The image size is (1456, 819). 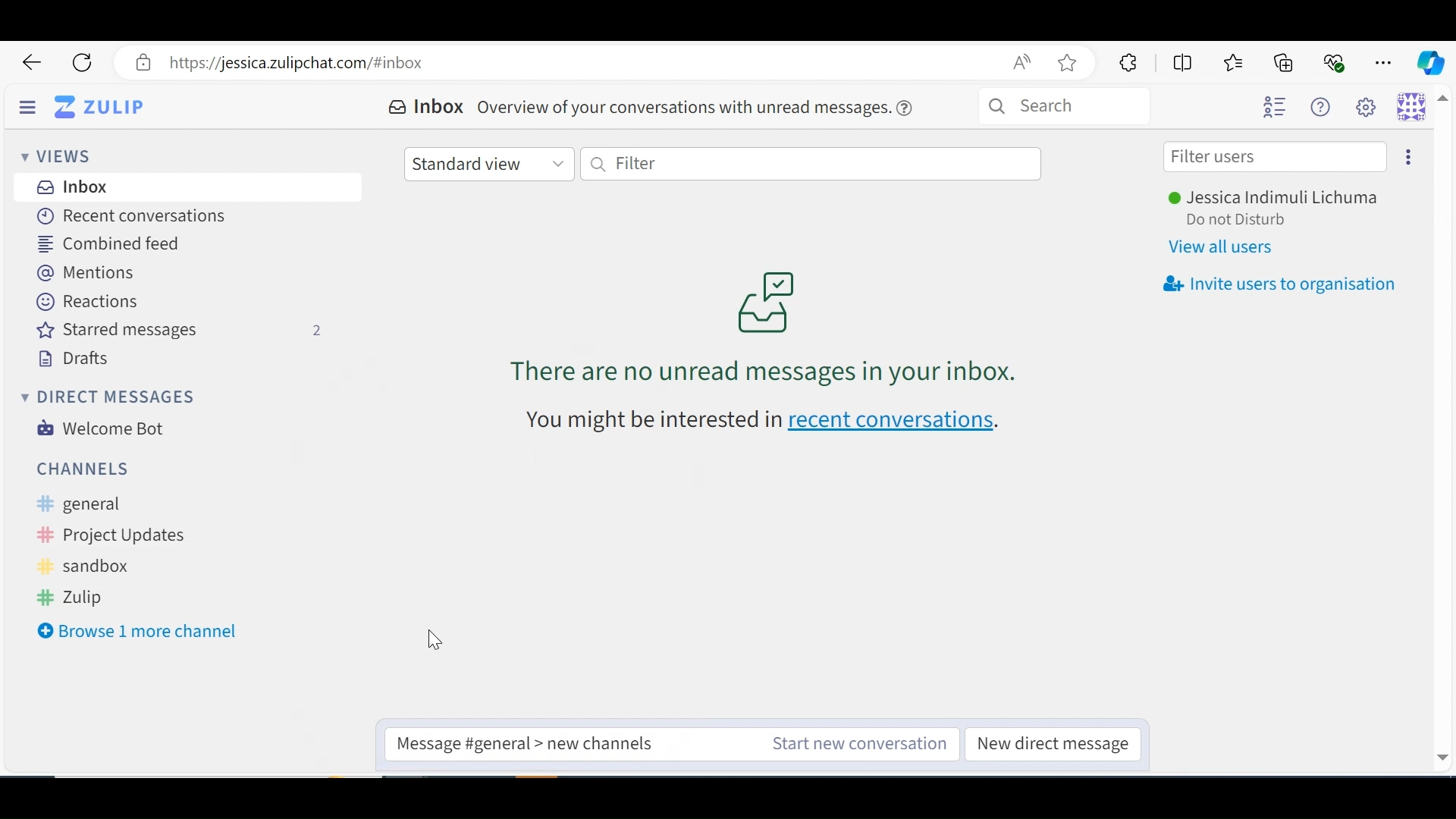 I want to click on main settings, so click(x=1370, y=108).